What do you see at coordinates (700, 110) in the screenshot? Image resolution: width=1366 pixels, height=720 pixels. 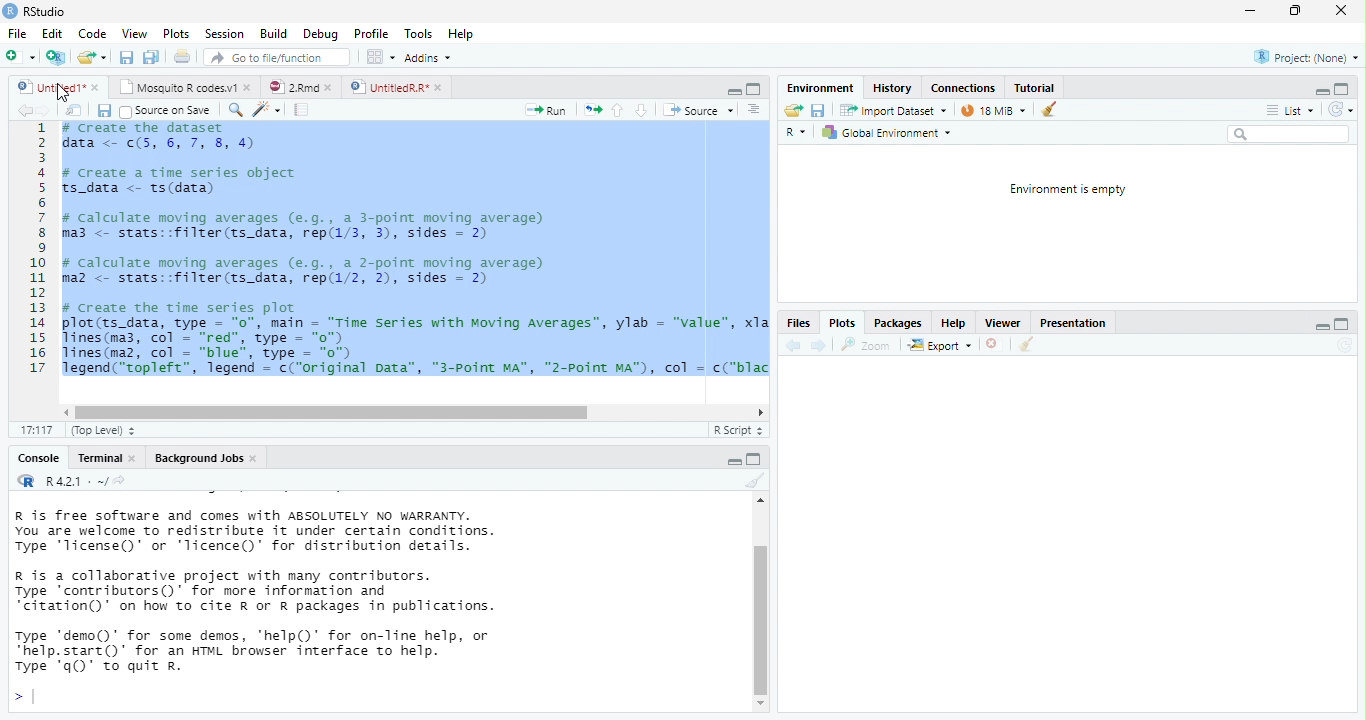 I see `‘Source` at bounding box center [700, 110].